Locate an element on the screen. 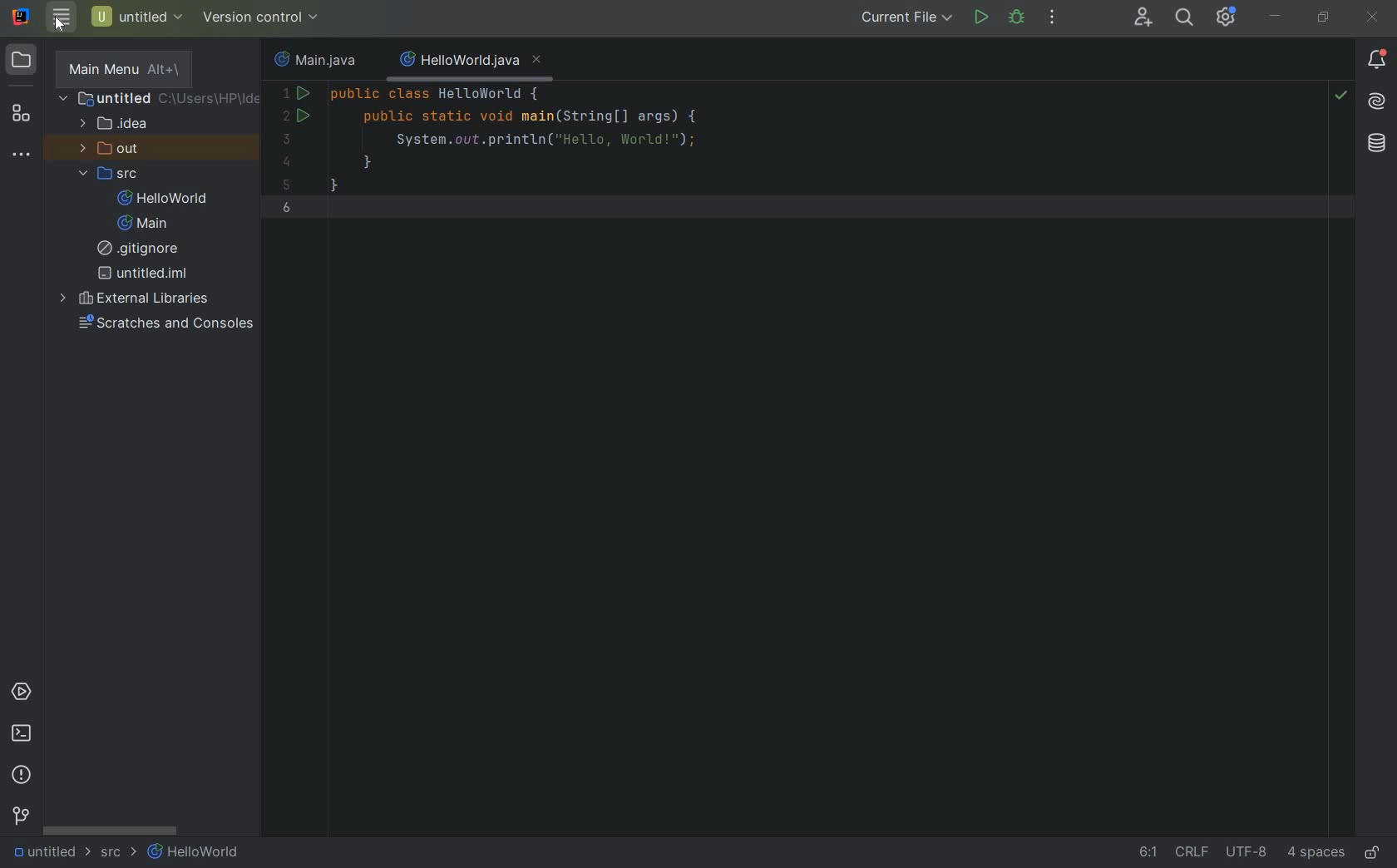 The image size is (1397, 868). Main.java is located at coordinates (318, 59).